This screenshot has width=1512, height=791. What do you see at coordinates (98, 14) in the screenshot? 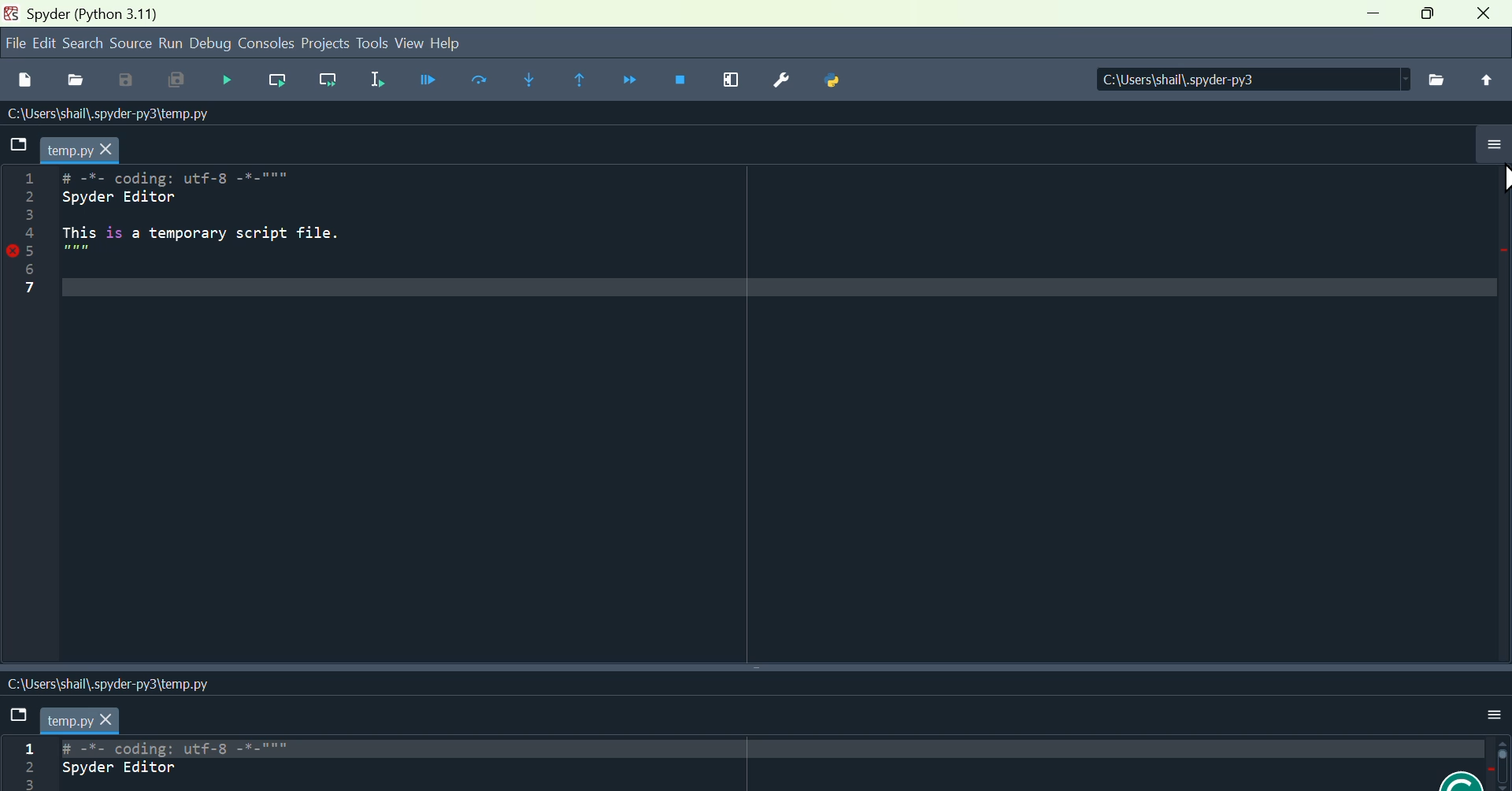
I see `spyder (Python 3.11)` at bounding box center [98, 14].